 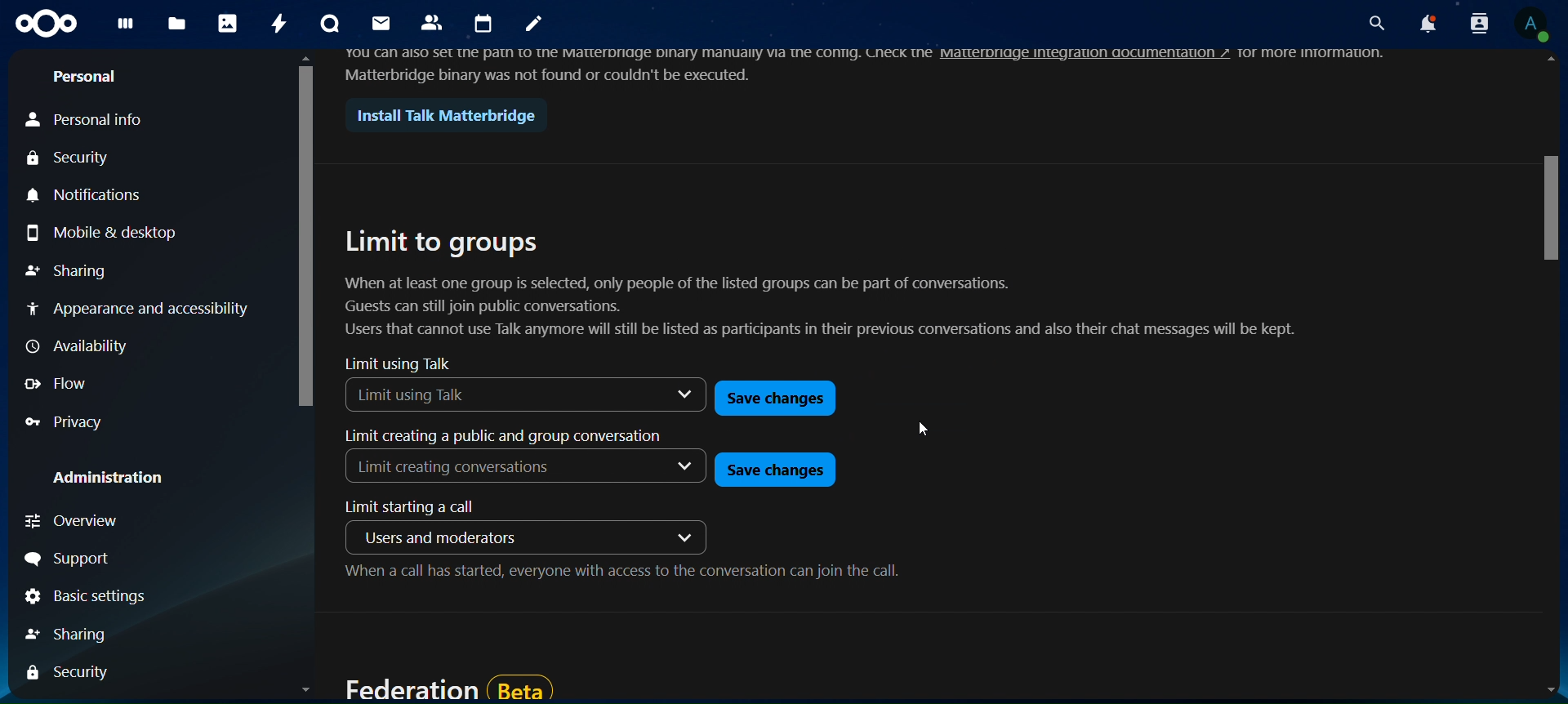 I want to click on privacy, so click(x=74, y=423).